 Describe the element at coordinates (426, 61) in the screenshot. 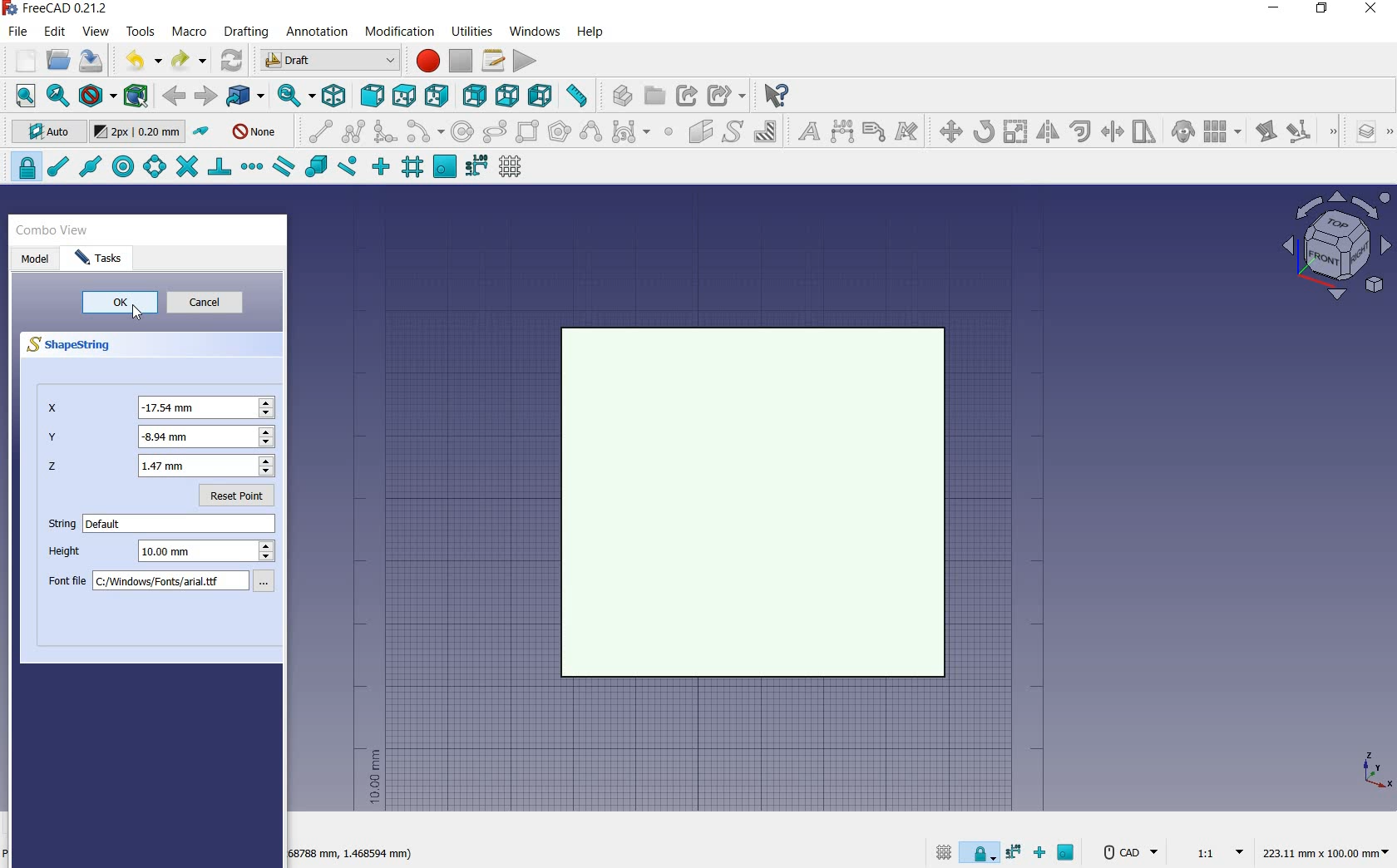

I see `macro recording` at that location.